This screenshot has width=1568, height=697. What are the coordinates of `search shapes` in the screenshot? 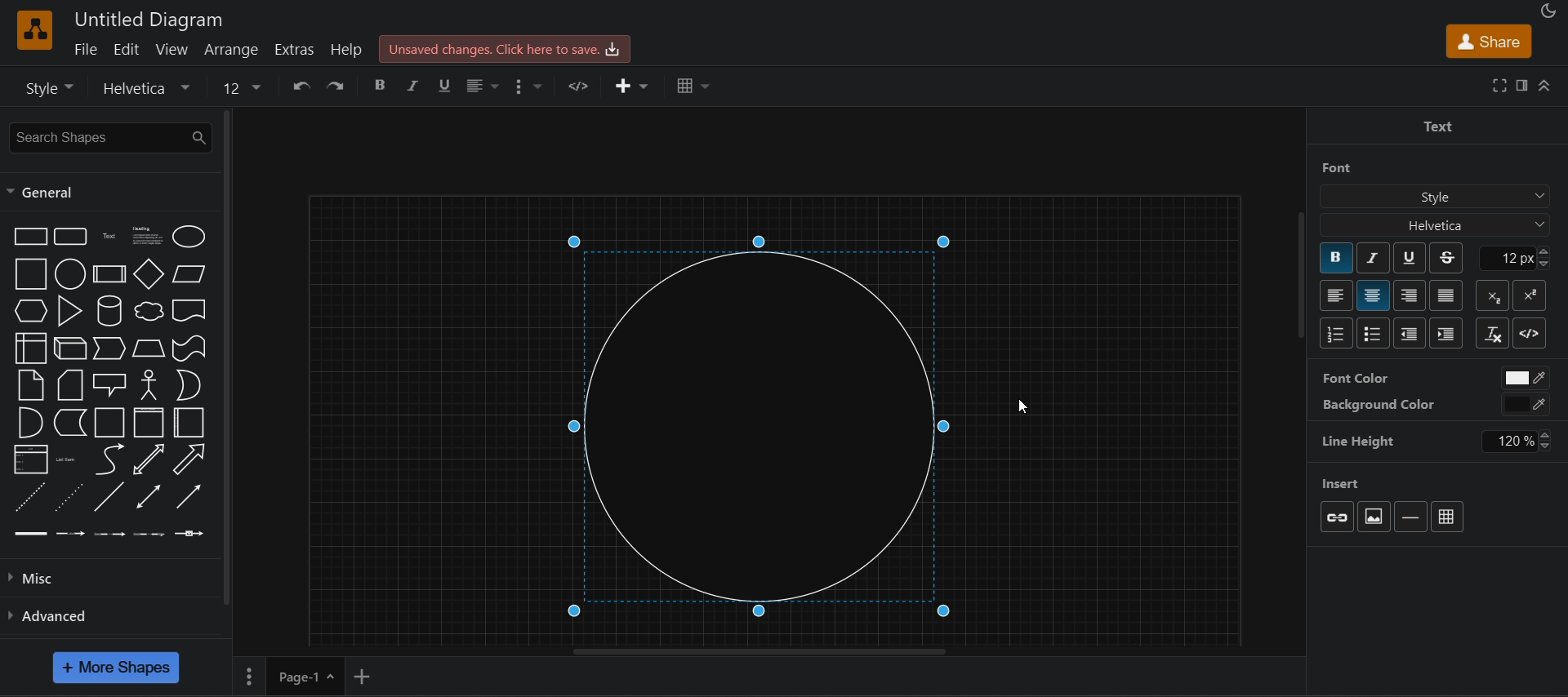 It's located at (105, 136).